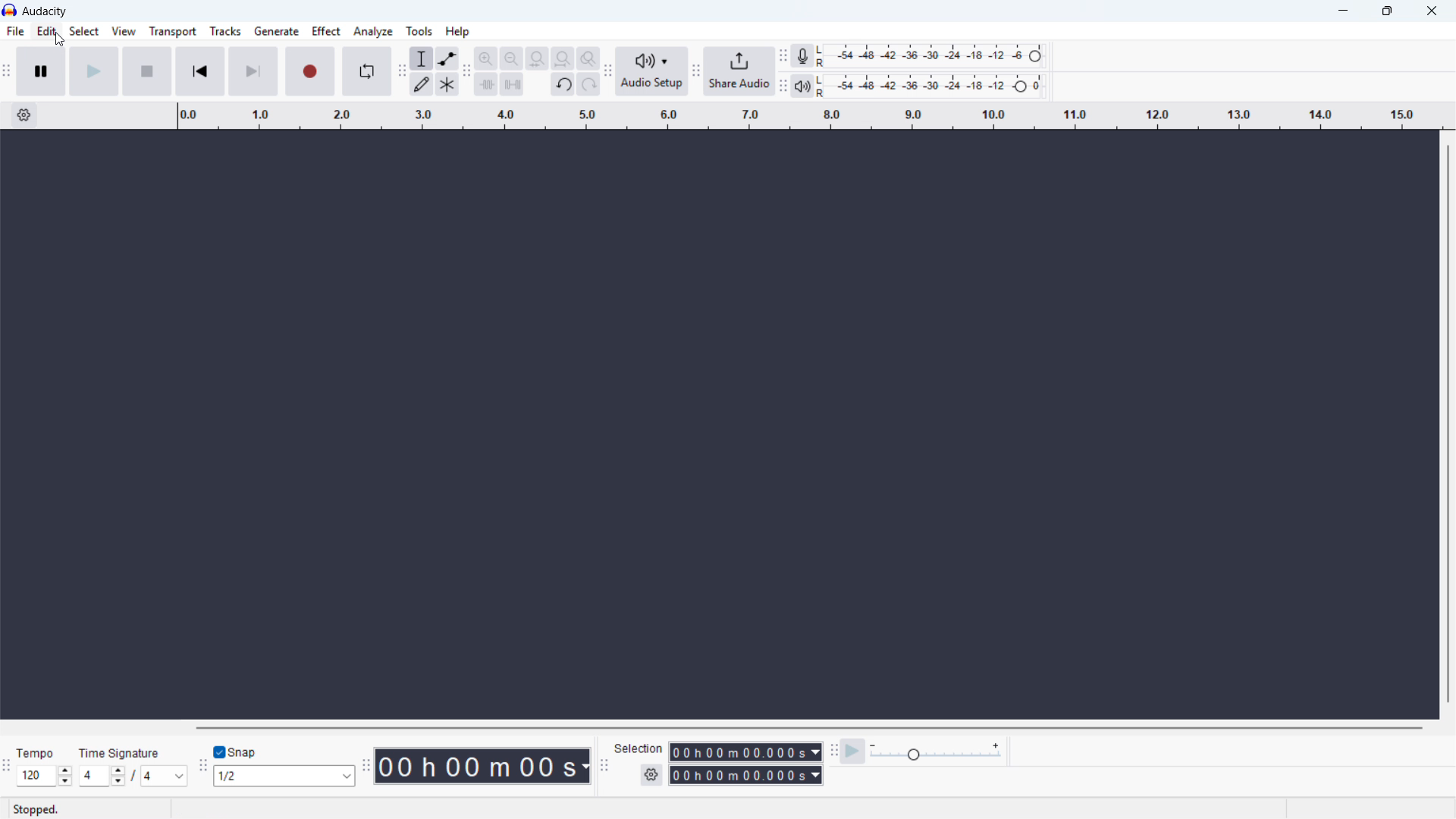 The height and width of the screenshot is (819, 1456). Describe the element at coordinates (803, 55) in the screenshot. I see `recording meter` at that location.